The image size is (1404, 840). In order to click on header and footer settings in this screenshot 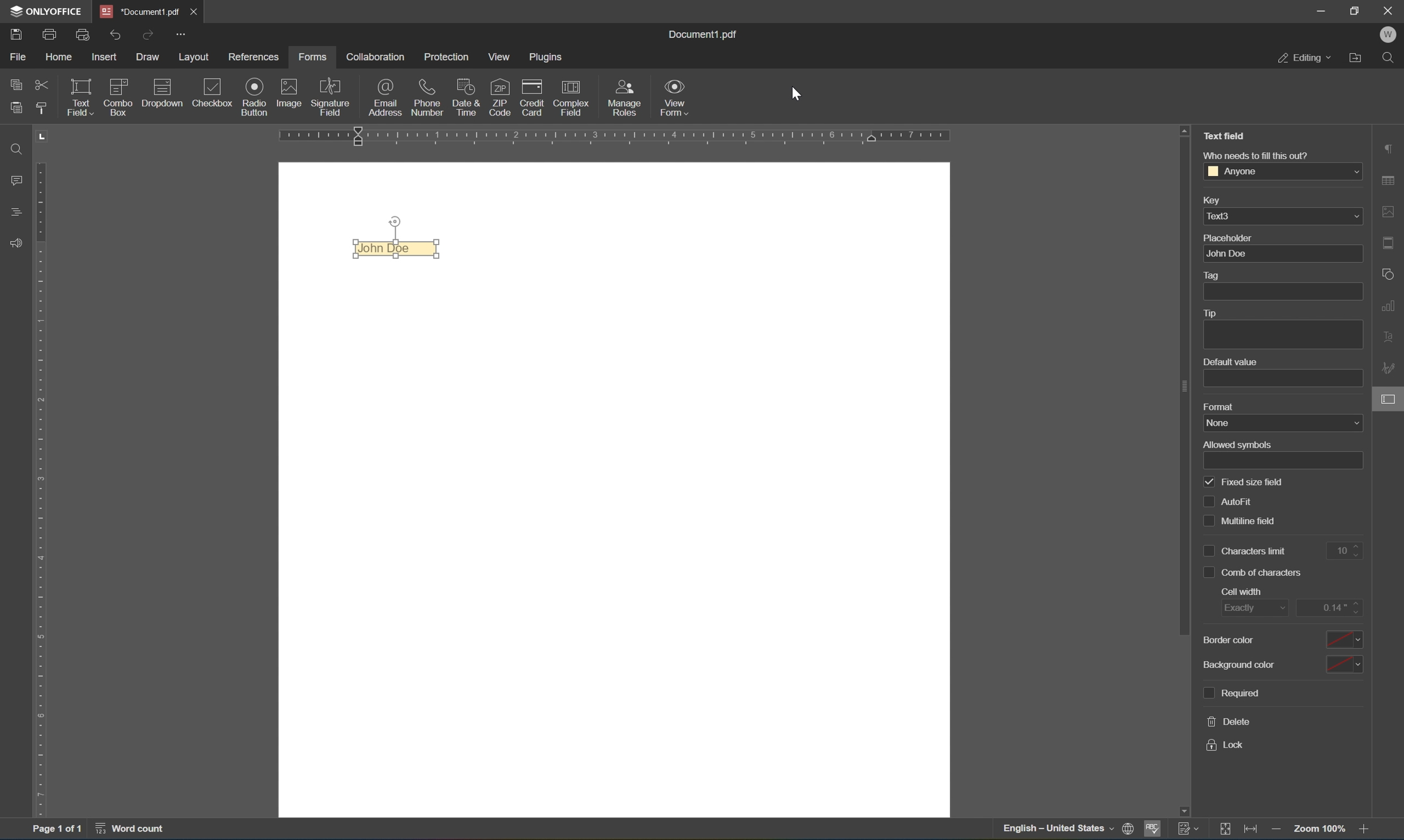, I will do `click(1392, 242)`.